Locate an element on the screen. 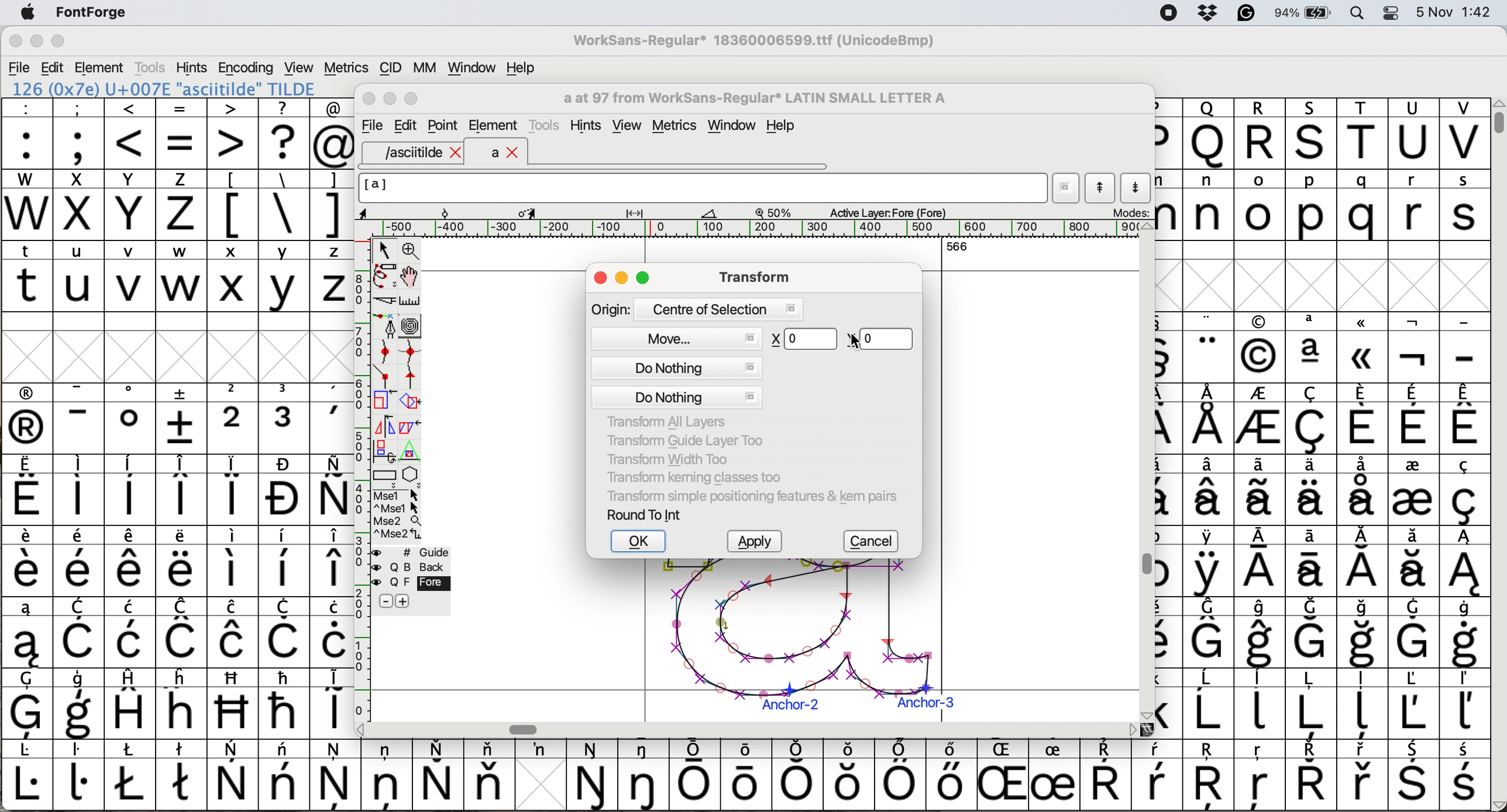 The width and height of the screenshot is (1507, 812). metrics is located at coordinates (346, 68).